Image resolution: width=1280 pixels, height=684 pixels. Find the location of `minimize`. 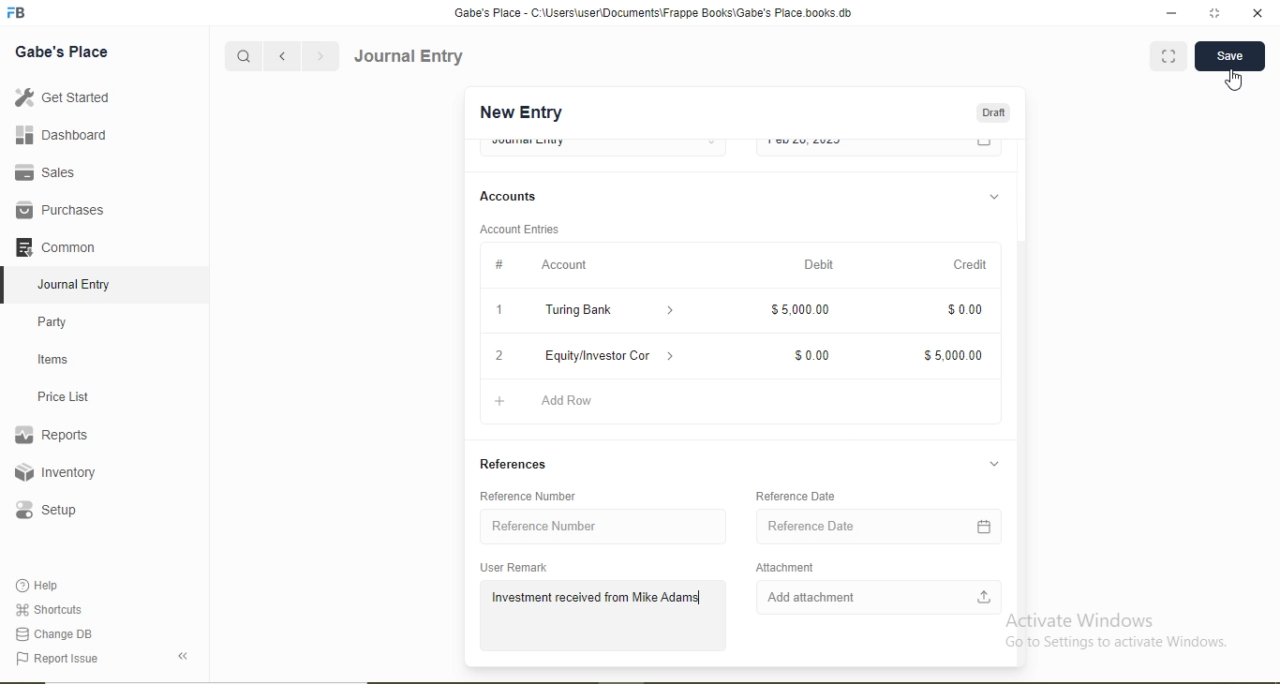

minimize is located at coordinates (1169, 14).